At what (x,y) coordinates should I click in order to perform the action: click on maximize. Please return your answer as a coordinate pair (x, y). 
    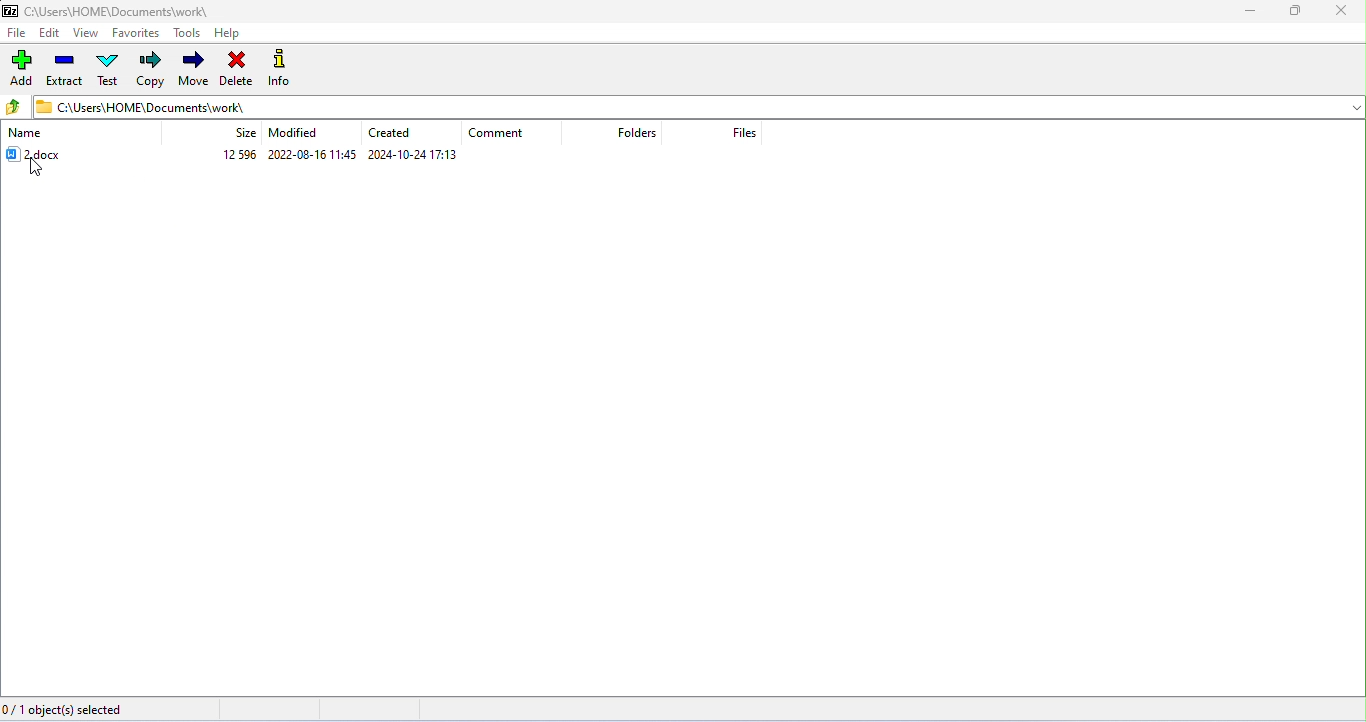
    Looking at the image, I should click on (1299, 14).